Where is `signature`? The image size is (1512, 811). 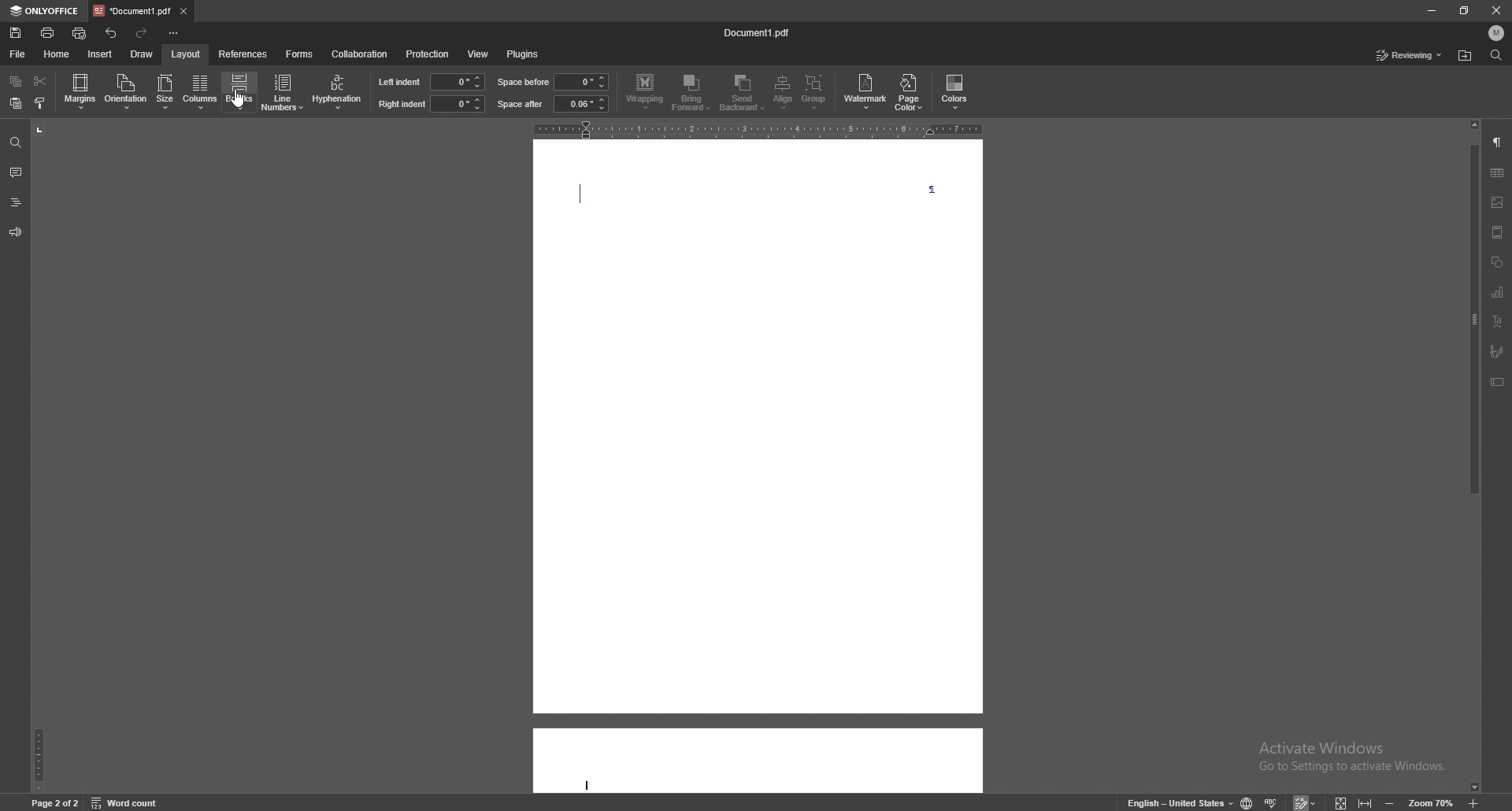
signature is located at coordinates (1494, 350).